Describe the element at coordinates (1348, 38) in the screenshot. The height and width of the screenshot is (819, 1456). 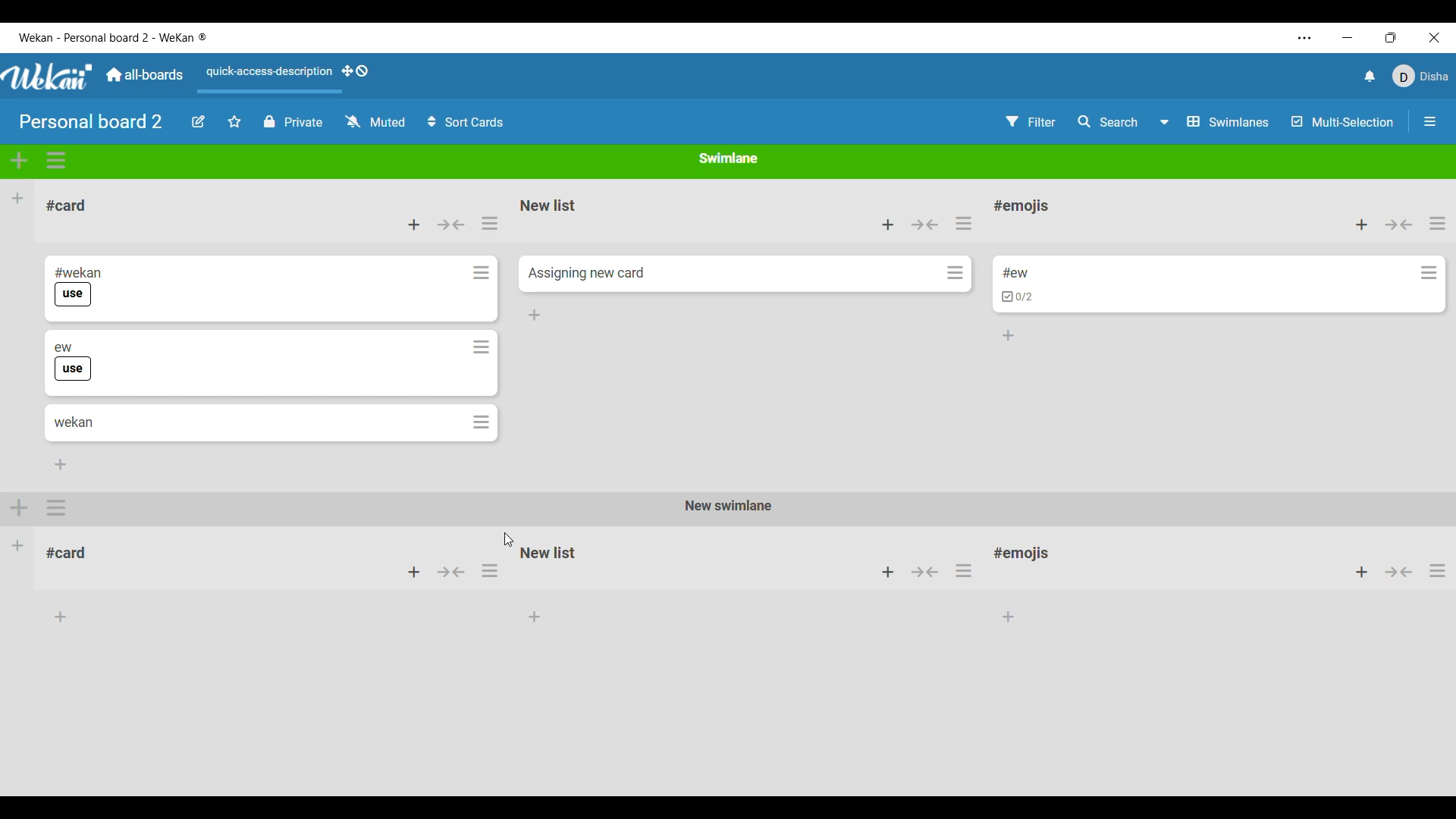
I see `Minimize` at that location.